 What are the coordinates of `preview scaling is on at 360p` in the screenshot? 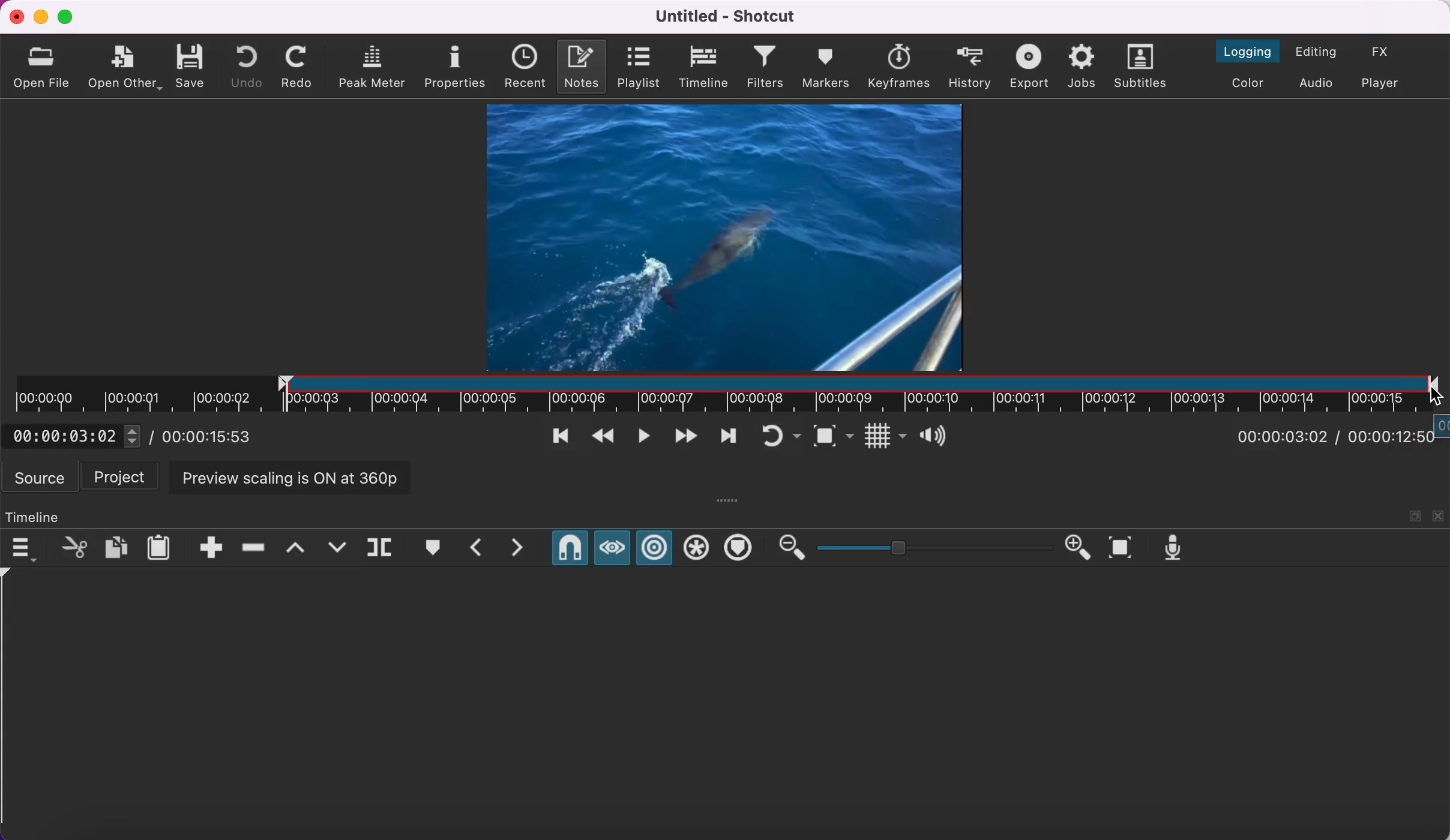 It's located at (290, 479).